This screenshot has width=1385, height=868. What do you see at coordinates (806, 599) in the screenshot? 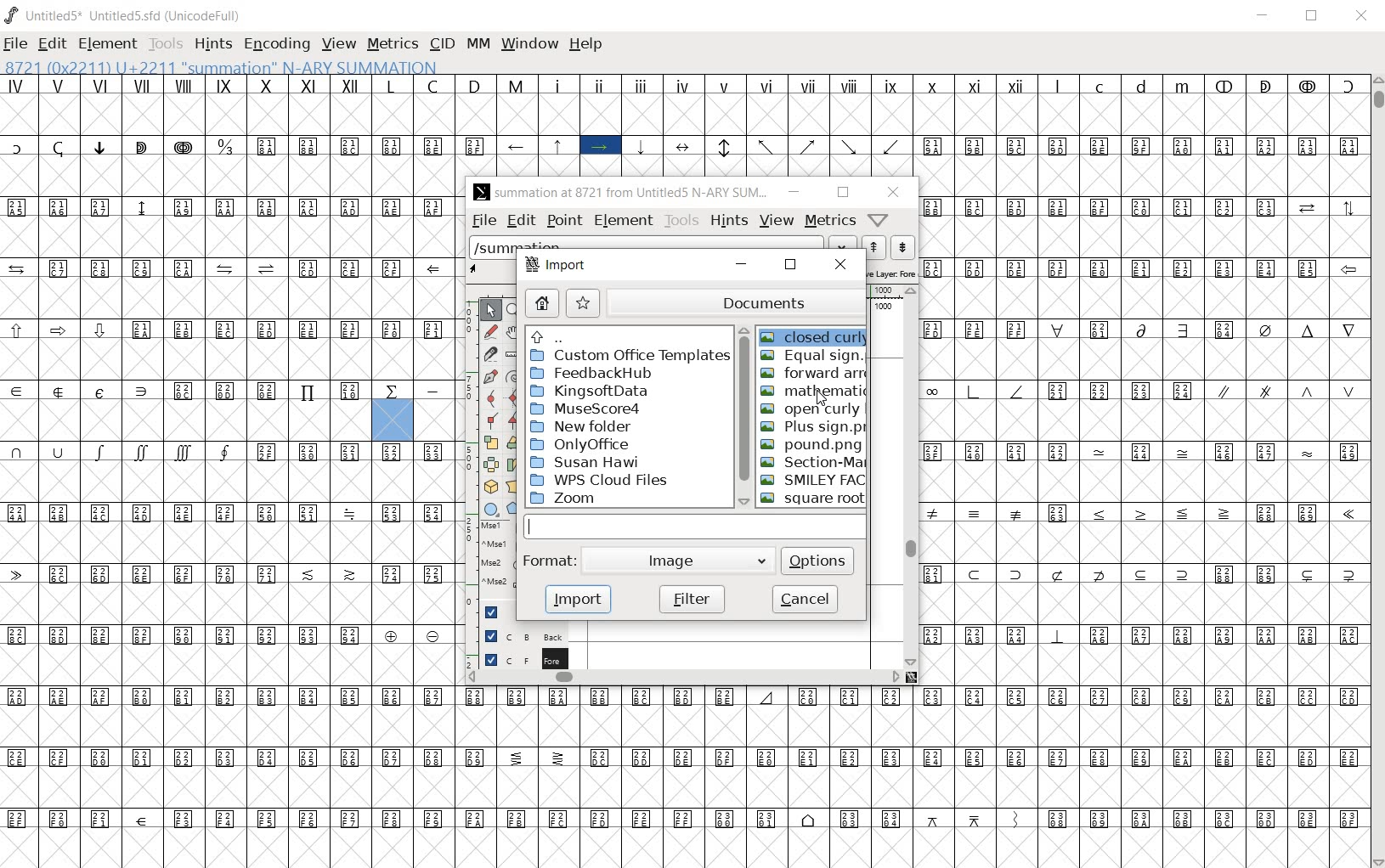
I see `cancel` at bounding box center [806, 599].